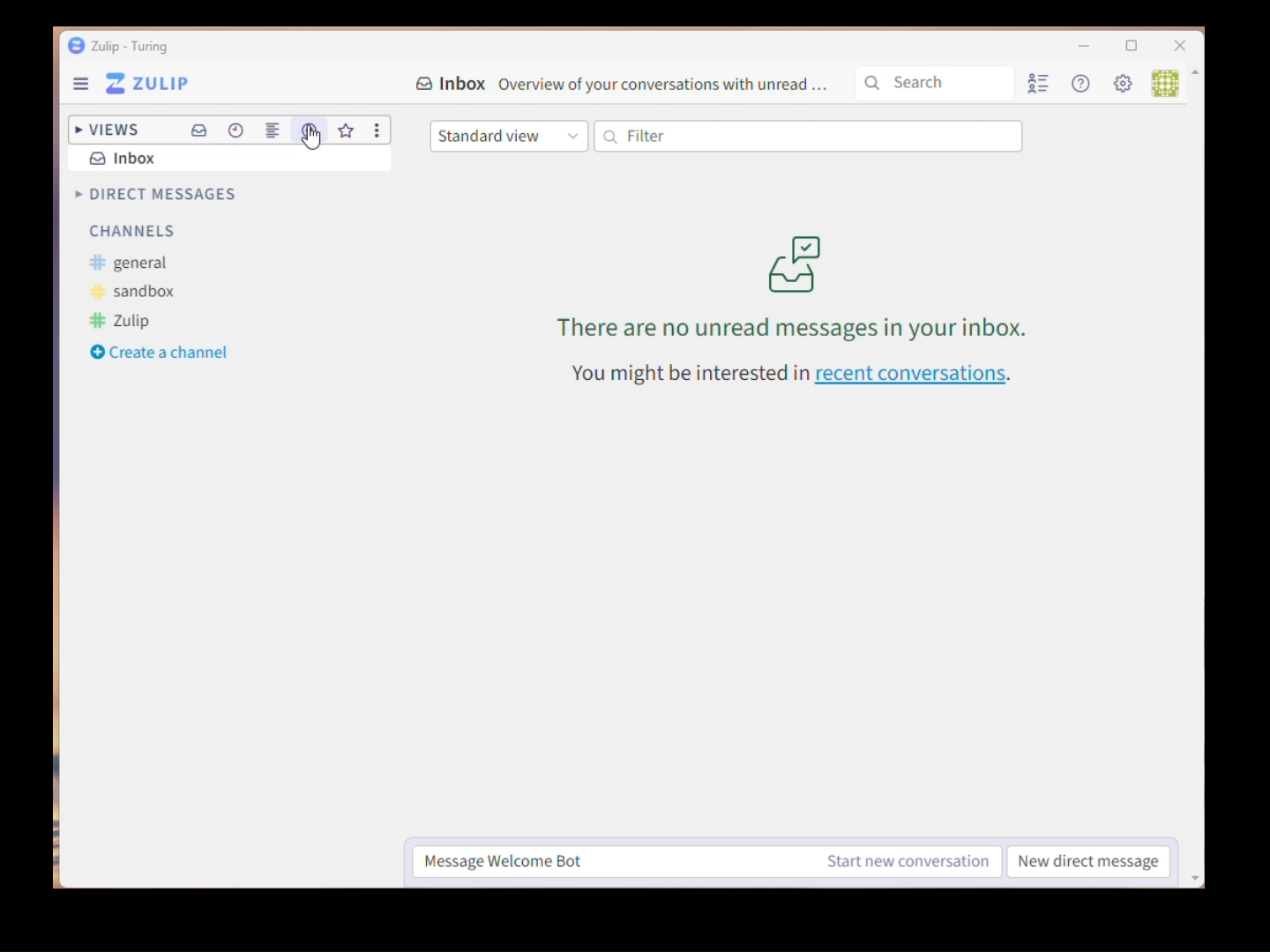 The image size is (1270, 952). Describe the element at coordinates (796, 377) in the screenshot. I see `recent conversations` at that location.